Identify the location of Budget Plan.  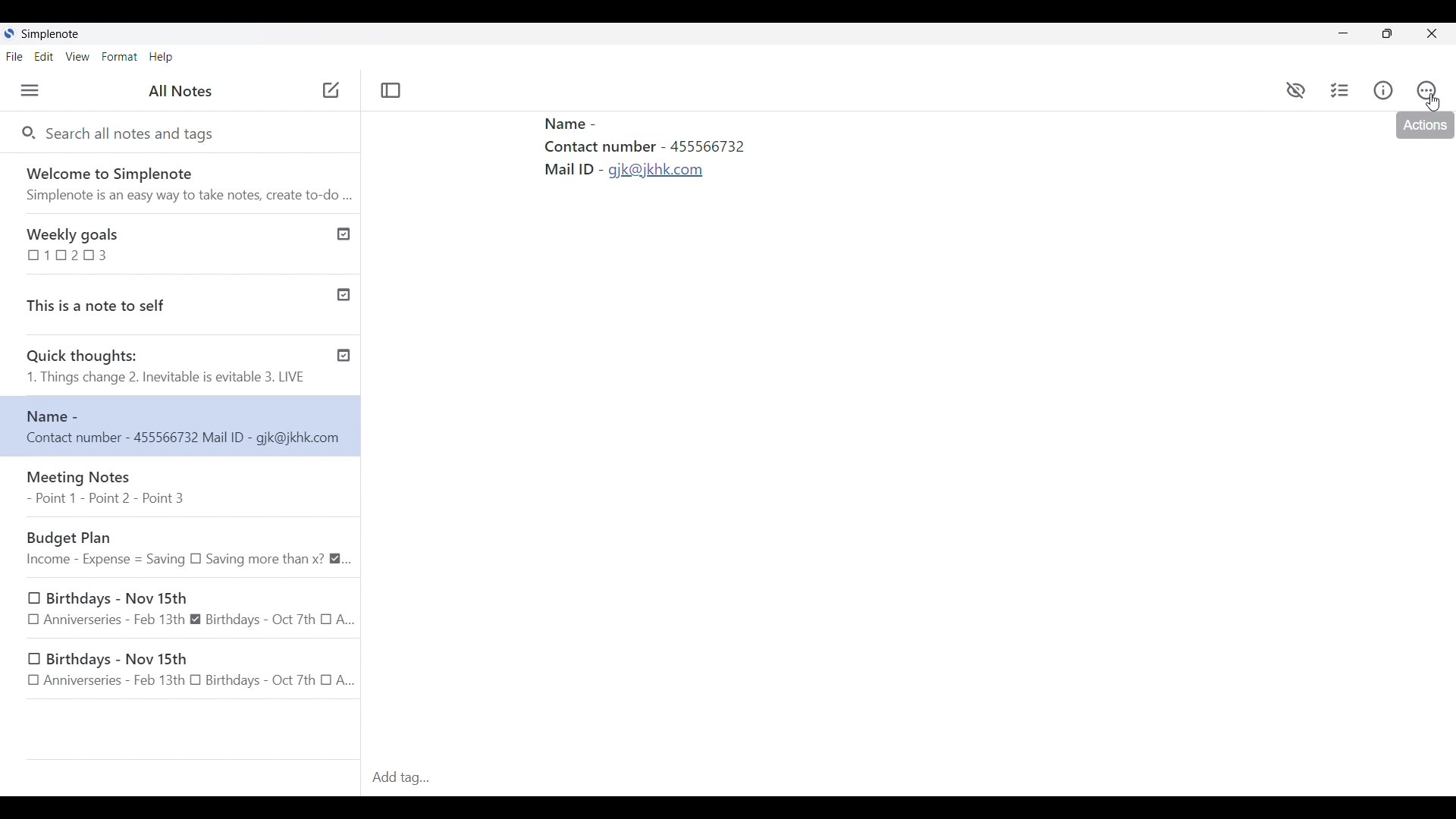
(186, 546).